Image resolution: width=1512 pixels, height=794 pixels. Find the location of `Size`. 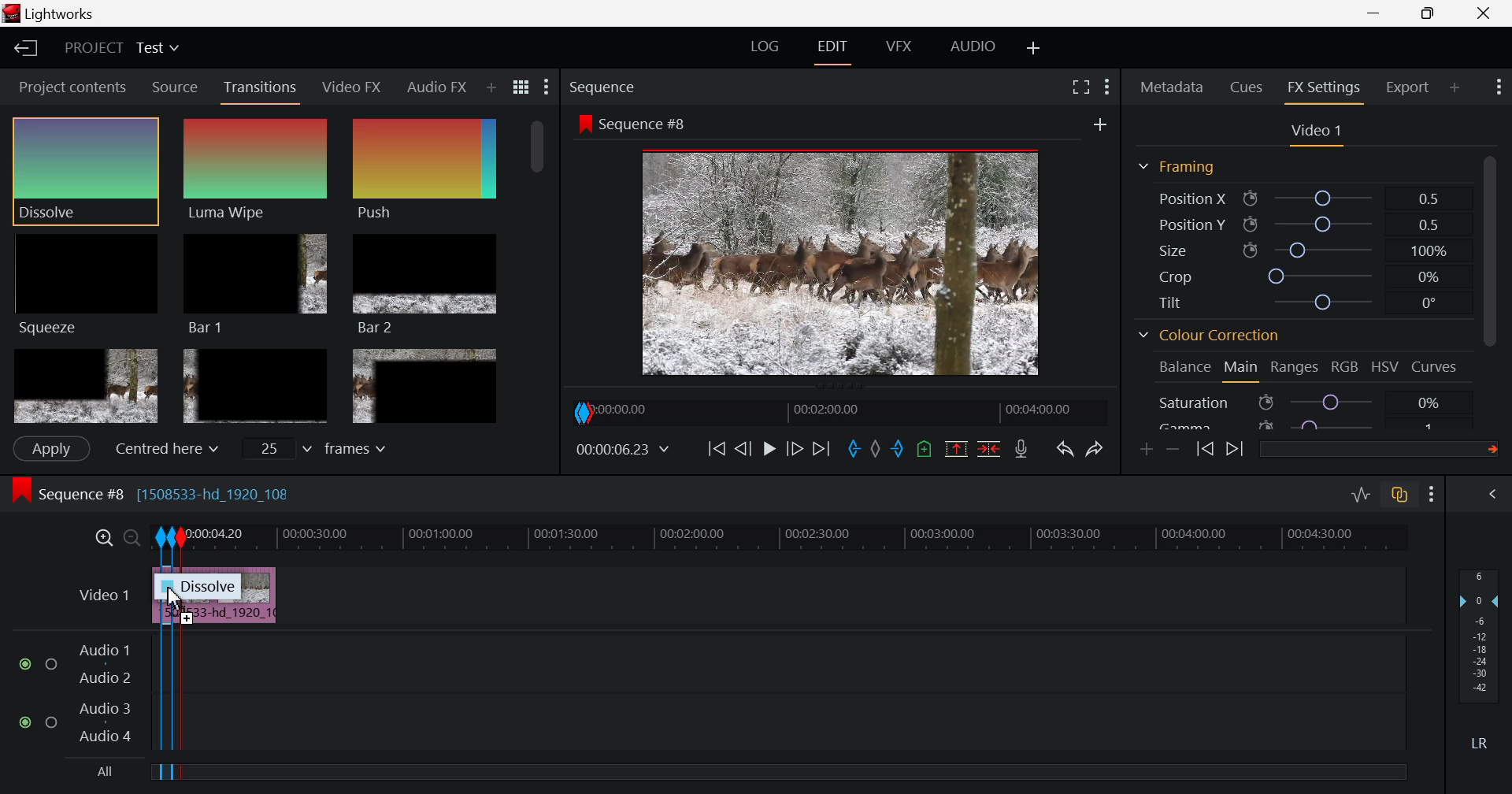

Size is located at coordinates (1309, 250).